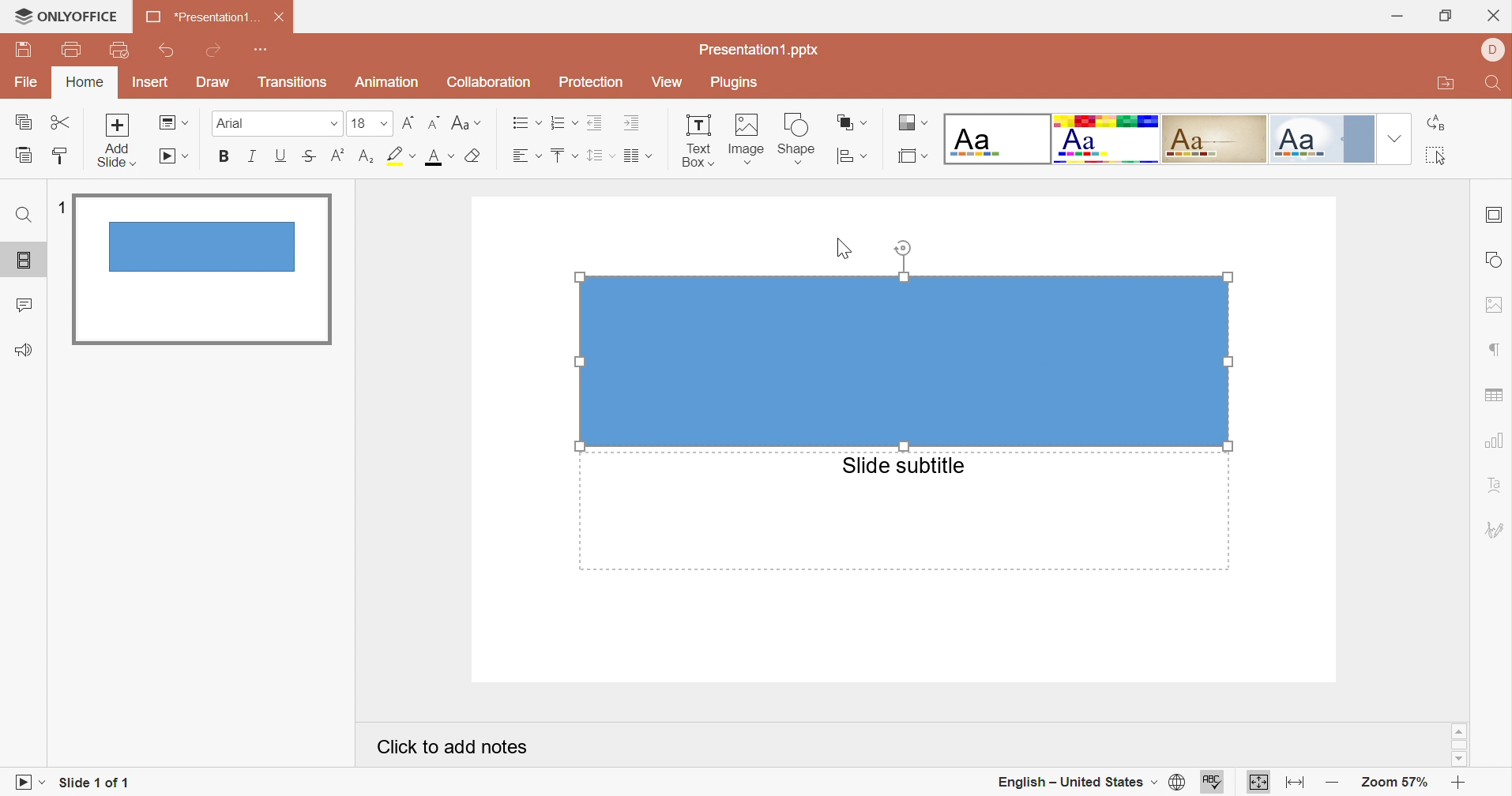 The width and height of the screenshot is (1512, 796). I want to click on Image, so click(746, 141).